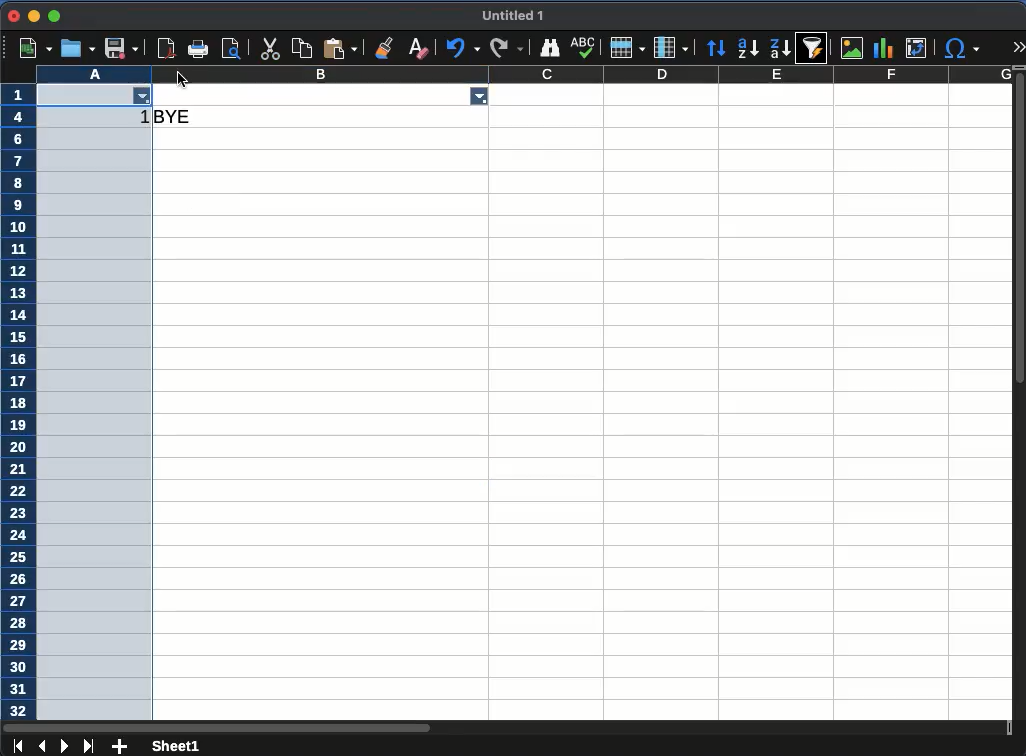  What do you see at coordinates (464, 47) in the screenshot?
I see `undo` at bounding box center [464, 47].